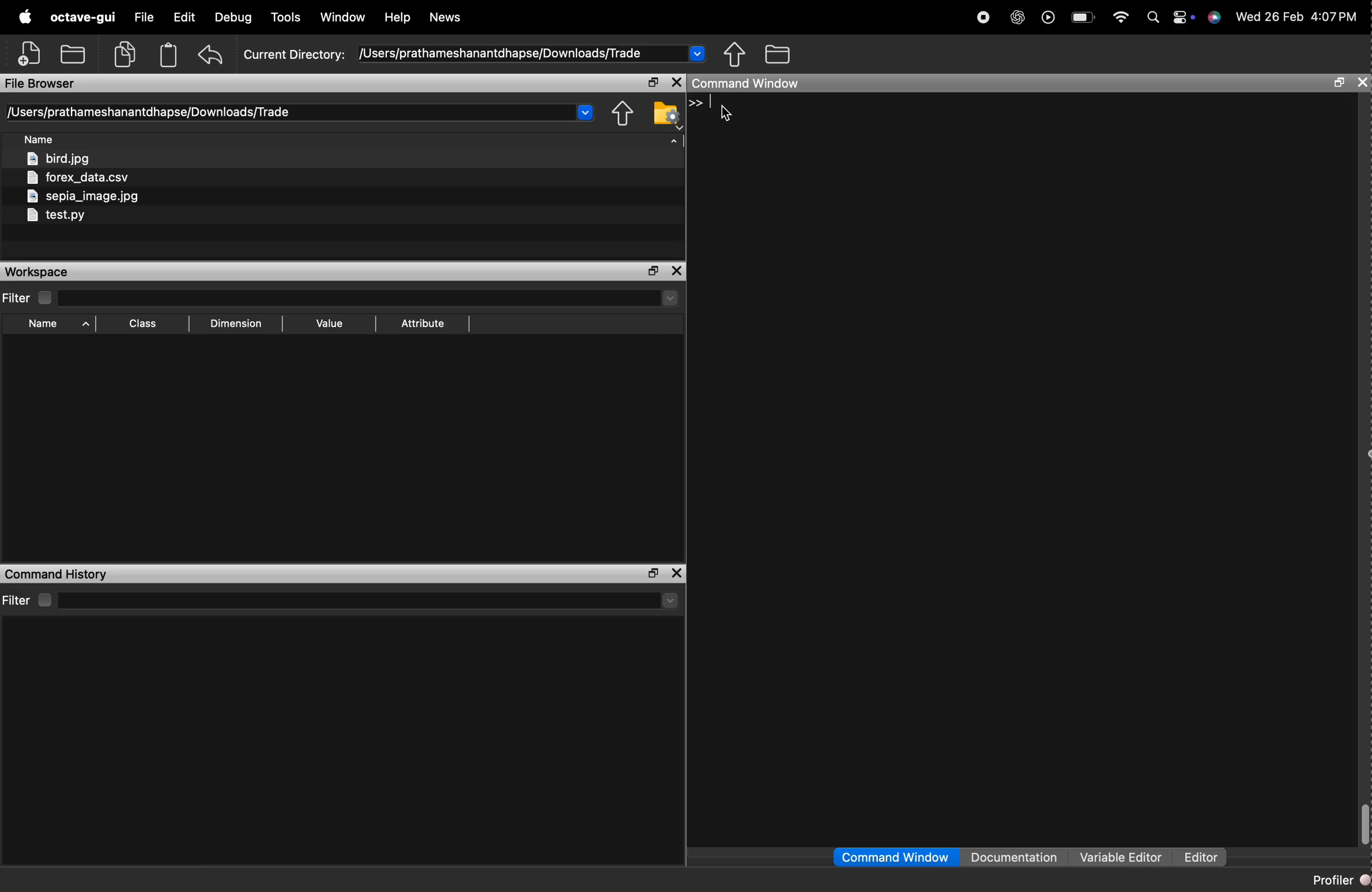  I want to click on open in separate window, so click(1340, 83).